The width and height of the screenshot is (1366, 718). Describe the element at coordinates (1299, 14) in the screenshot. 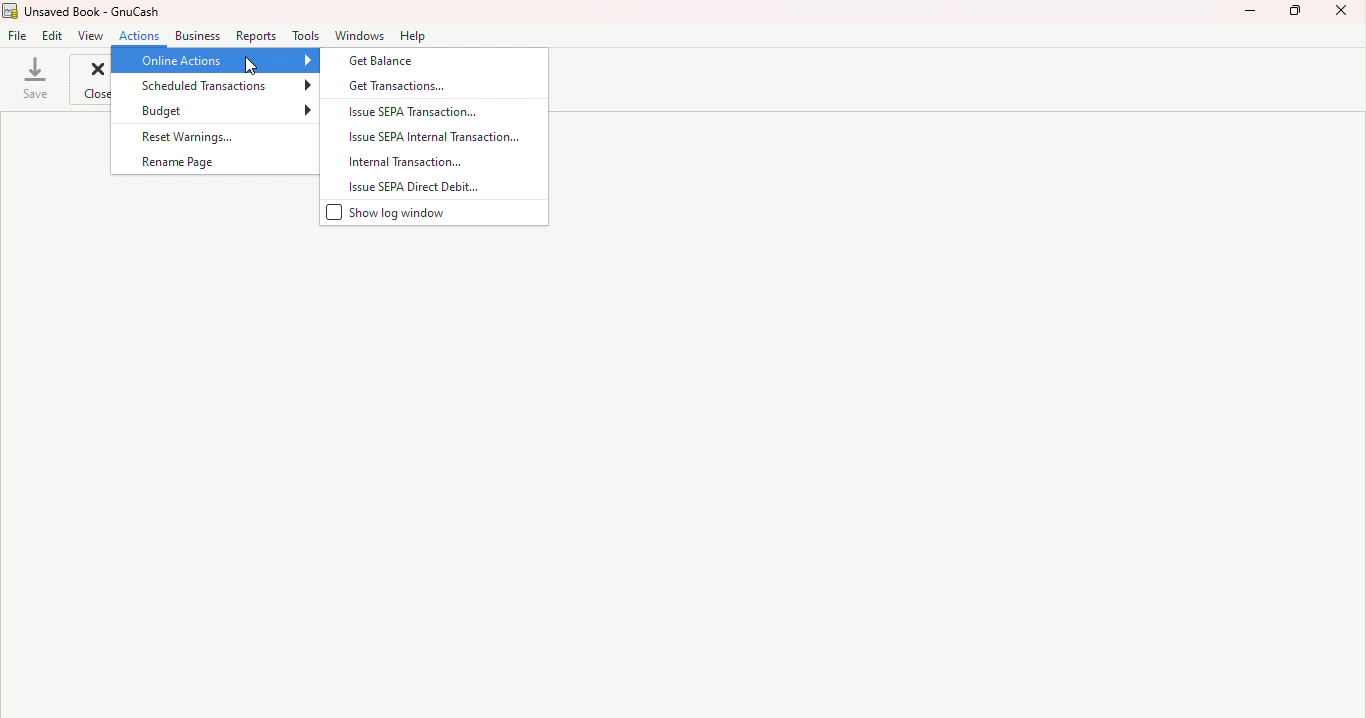

I see `Maximize` at that location.